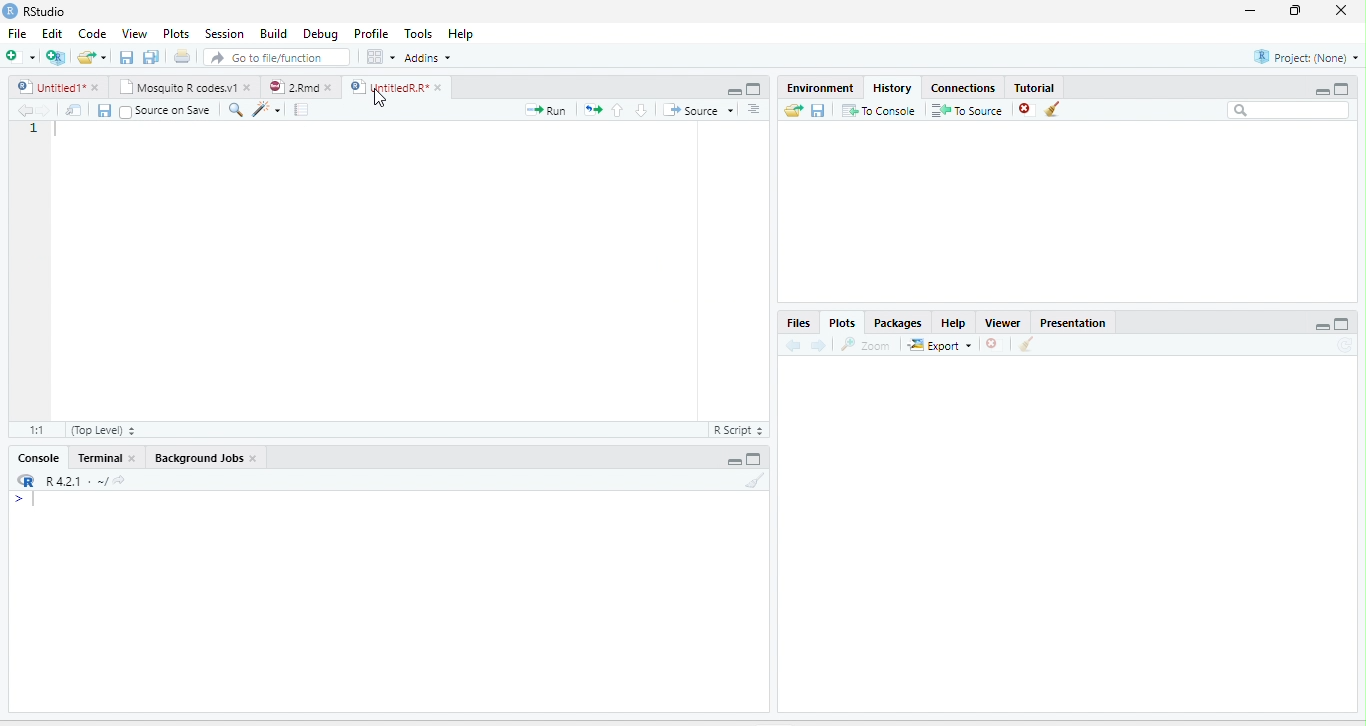 Image resolution: width=1366 pixels, height=726 pixels. I want to click on cursor, so click(381, 99).